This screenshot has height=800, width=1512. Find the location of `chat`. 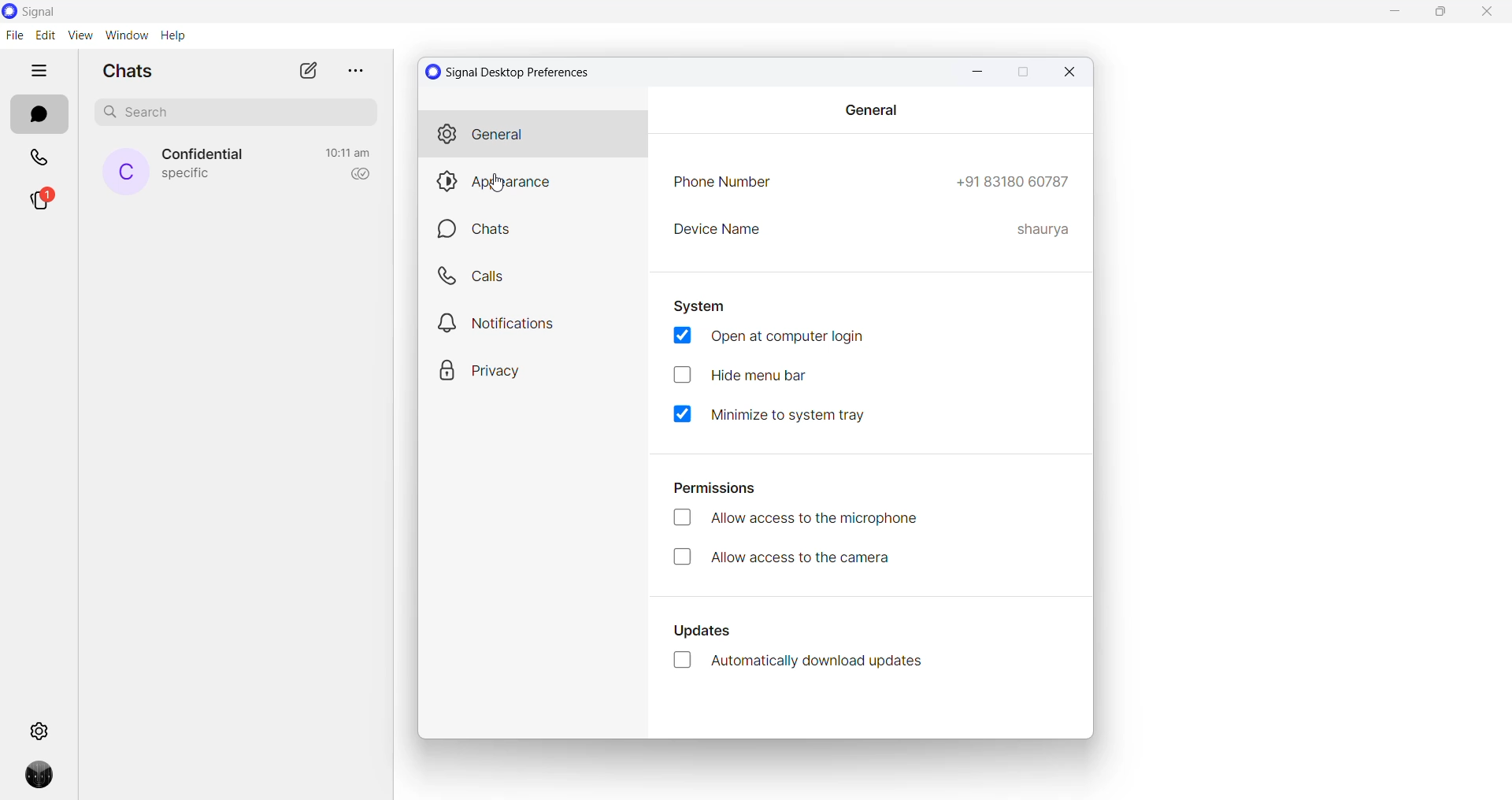

chat is located at coordinates (537, 231).